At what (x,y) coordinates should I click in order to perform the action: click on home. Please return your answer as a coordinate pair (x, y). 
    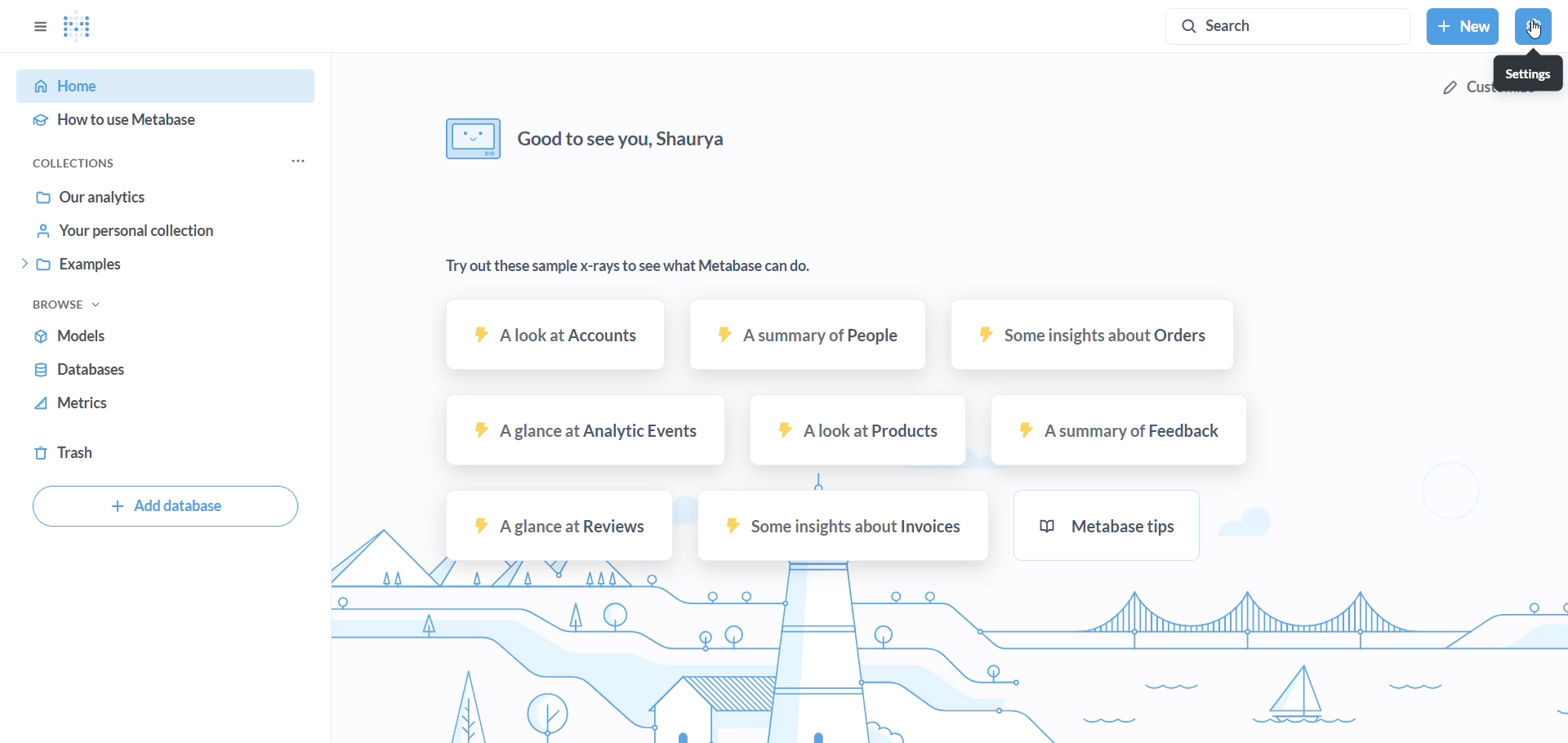
    Looking at the image, I should click on (154, 88).